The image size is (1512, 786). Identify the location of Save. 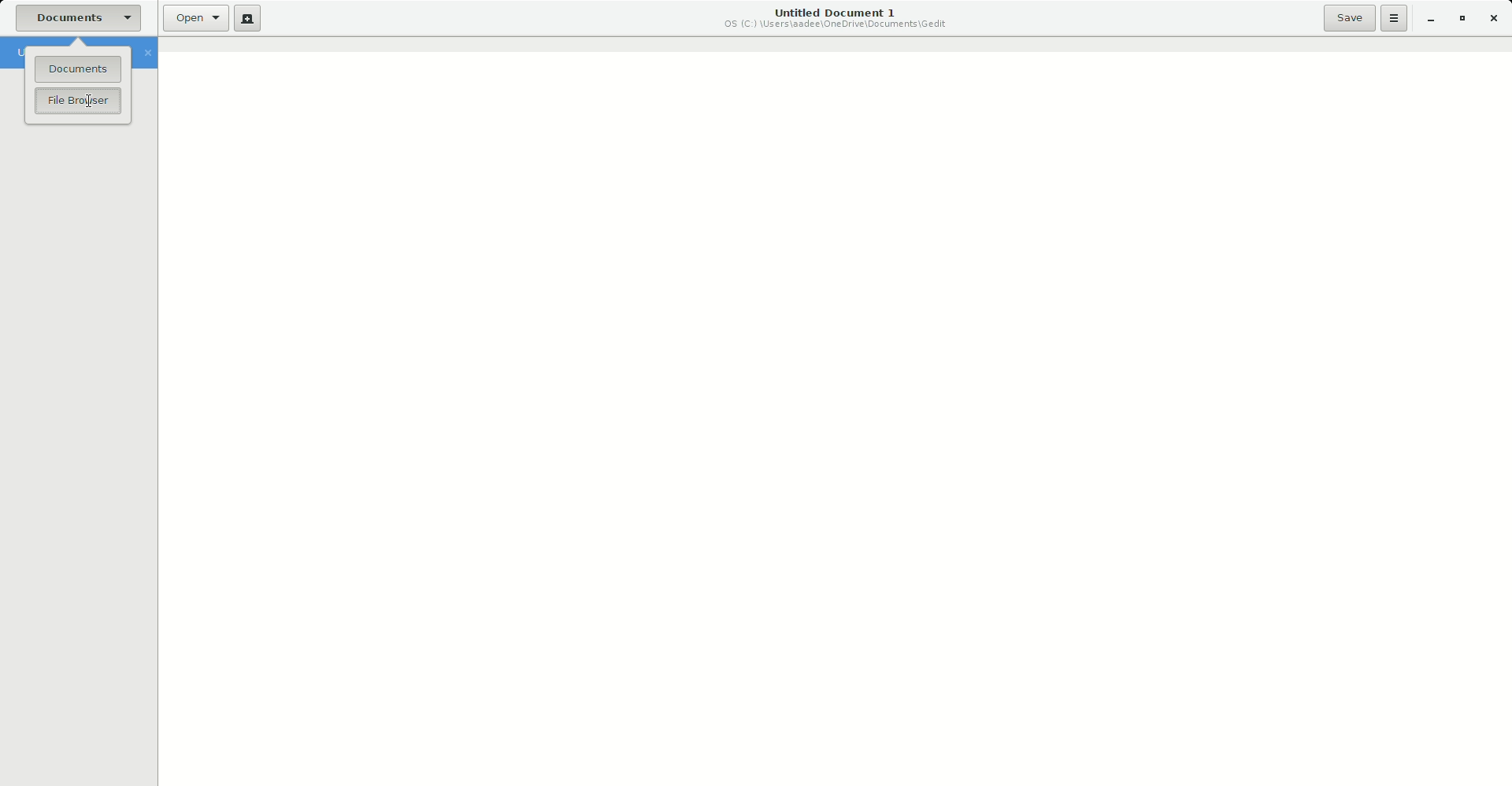
(1347, 18).